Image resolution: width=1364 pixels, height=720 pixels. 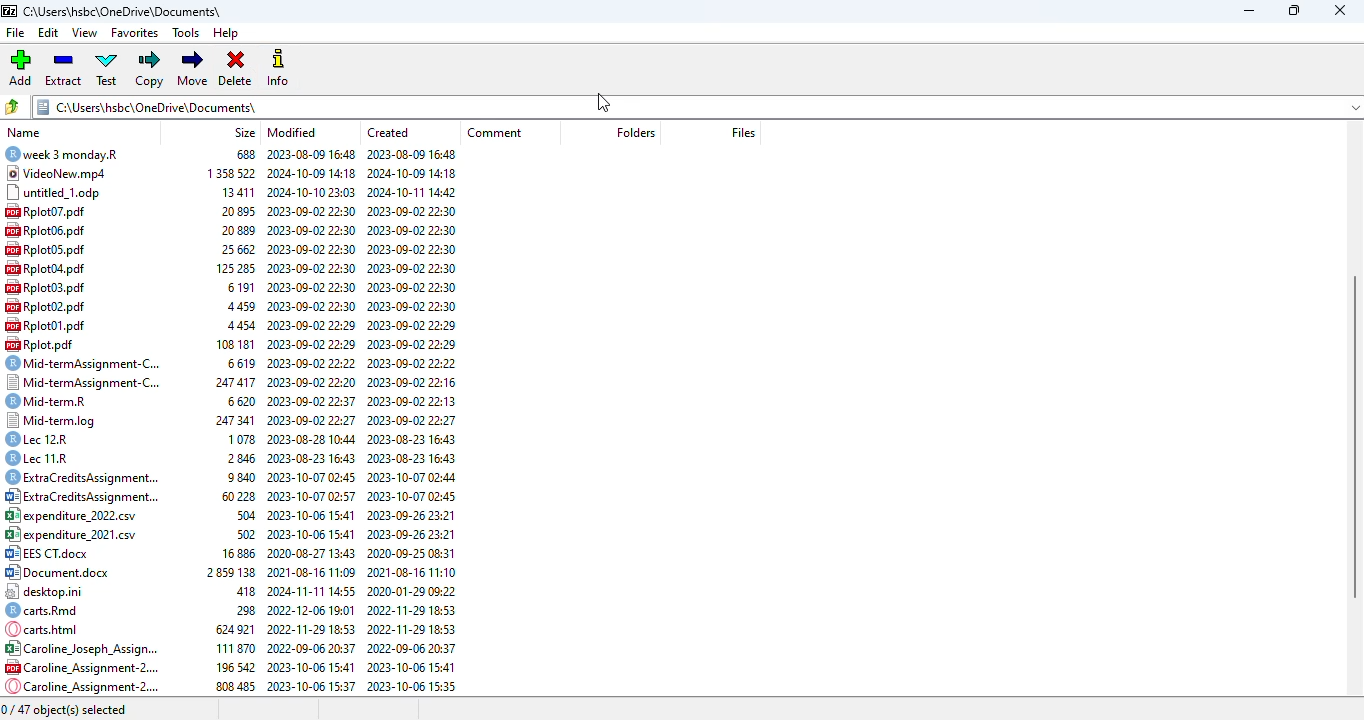 I want to click on 2023-09-02 22:30, so click(x=312, y=266).